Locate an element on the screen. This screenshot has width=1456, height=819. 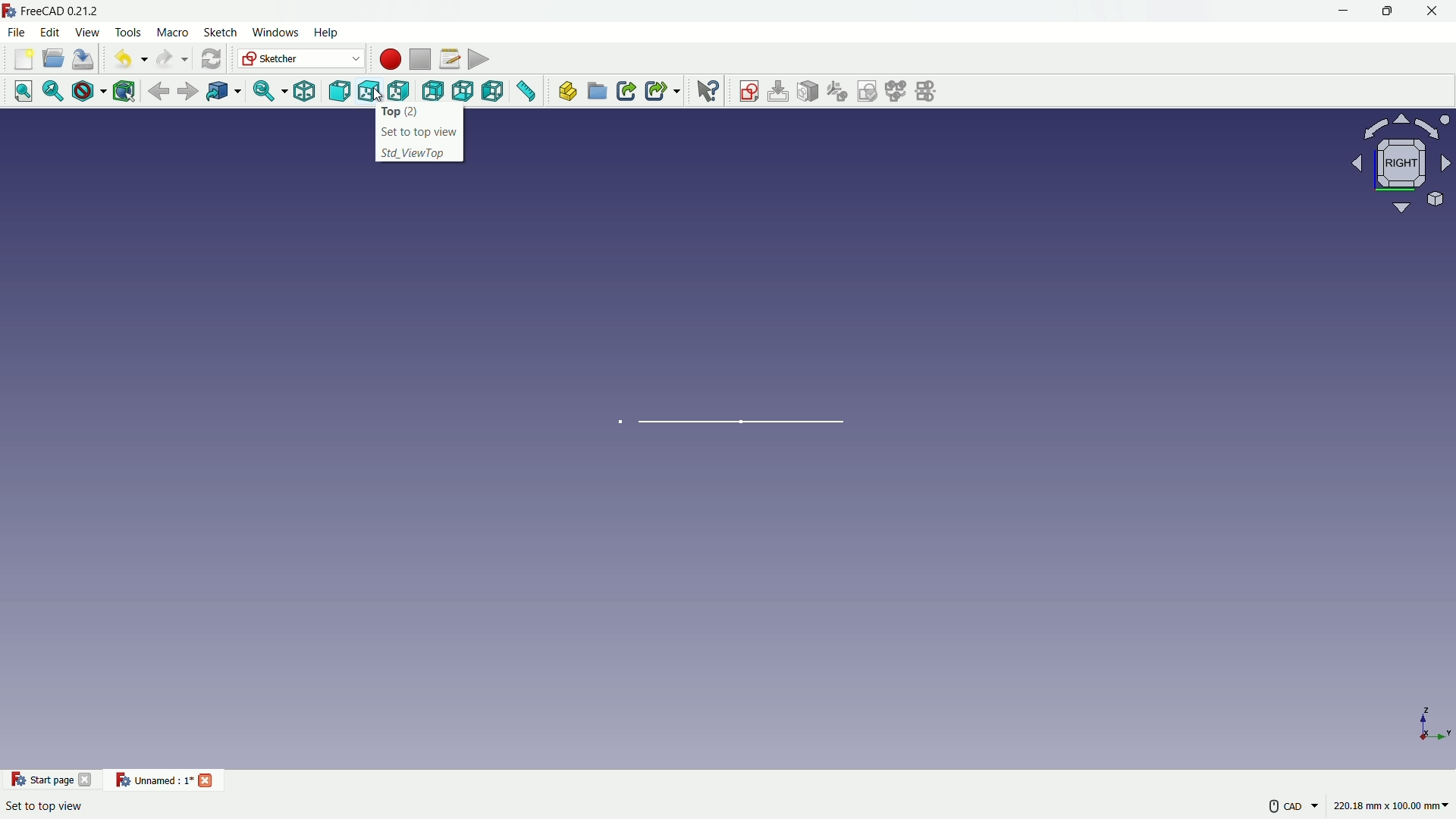
merge sketches is located at coordinates (898, 92).